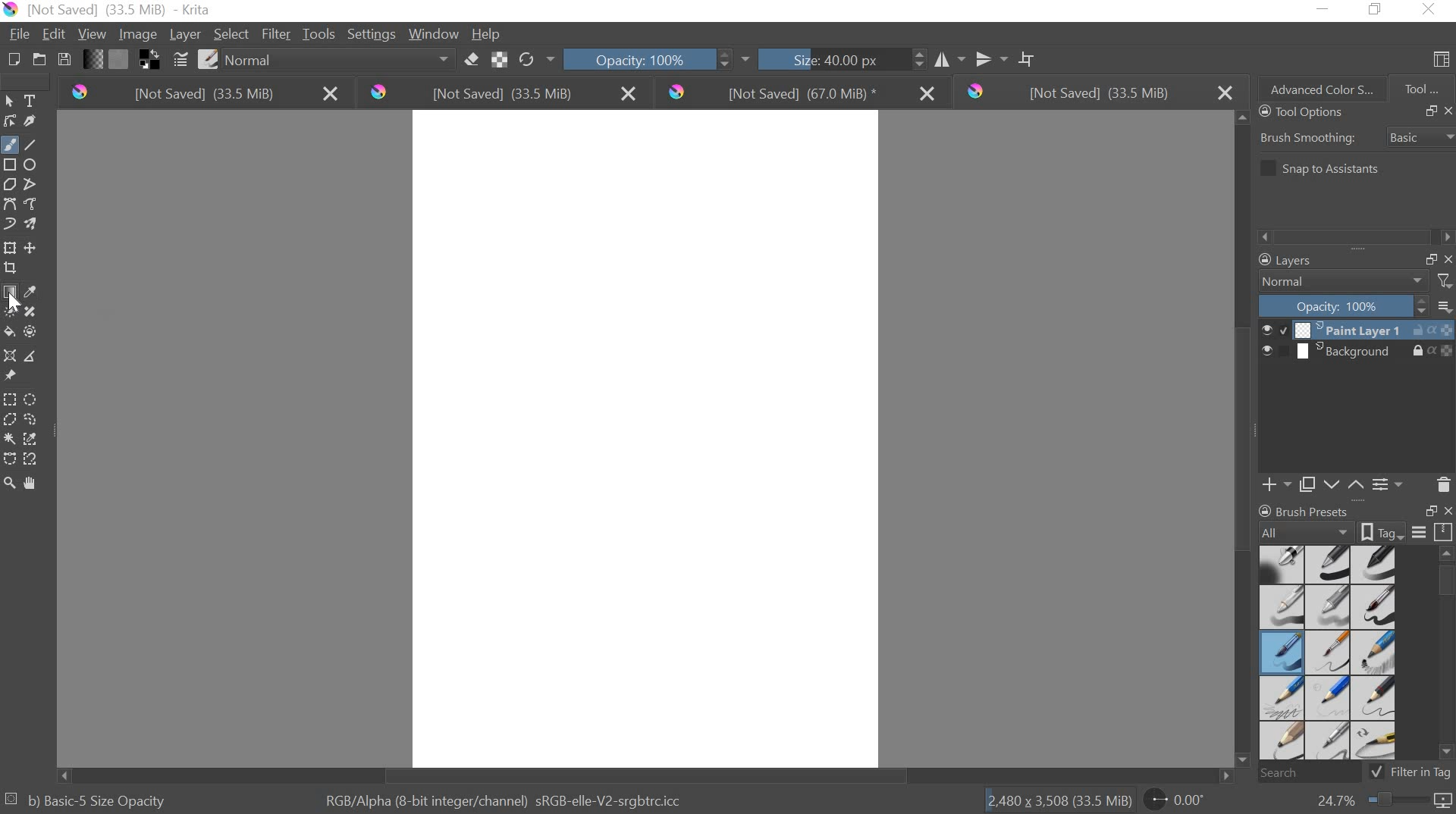 Image resolution: width=1456 pixels, height=814 pixels. Describe the element at coordinates (33, 459) in the screenshot. I see `magnetic selection` at that location.